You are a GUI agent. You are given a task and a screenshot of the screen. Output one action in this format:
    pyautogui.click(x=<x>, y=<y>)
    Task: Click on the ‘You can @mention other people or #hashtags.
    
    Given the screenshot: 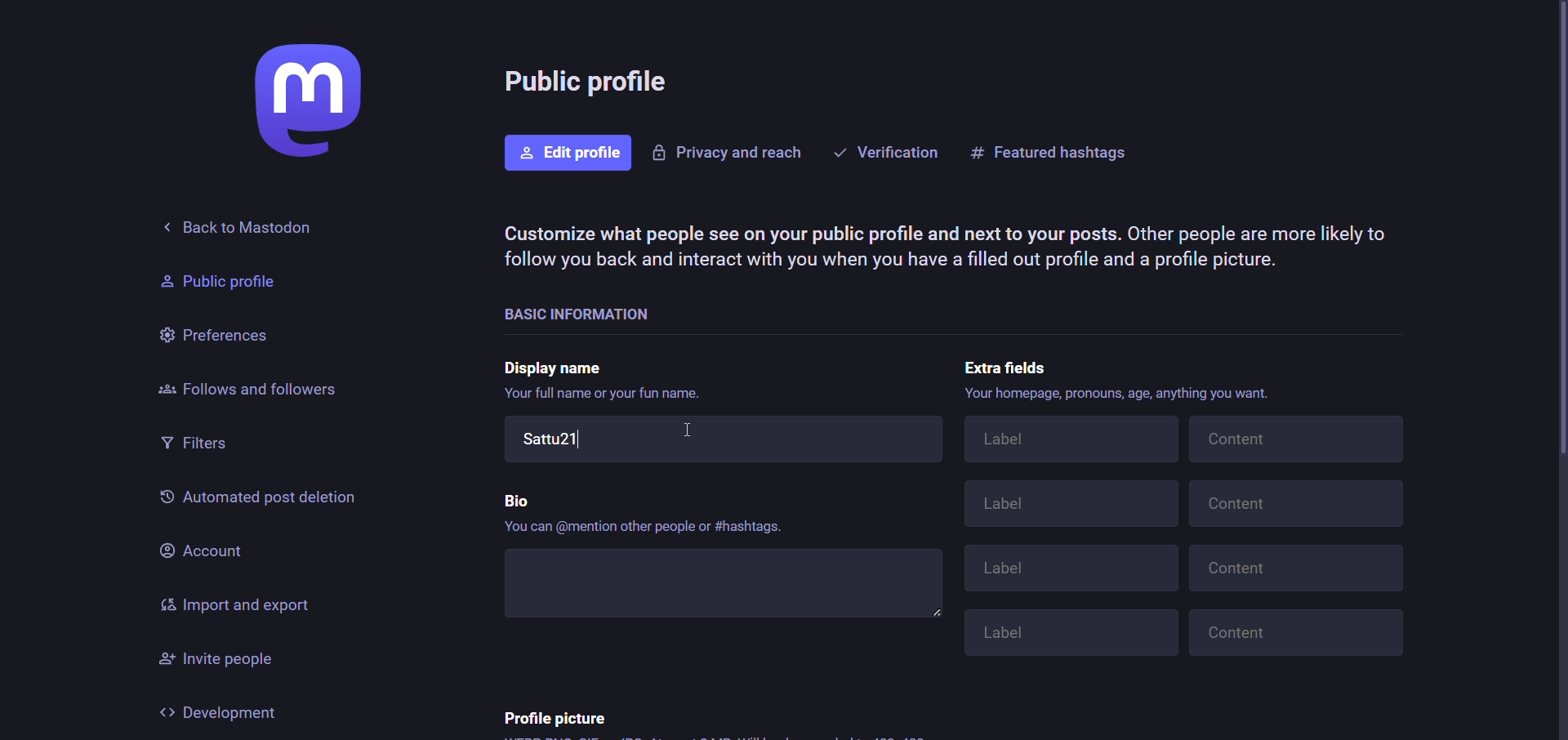 What is the action you would take?
    pyautogui.click(x=642, y=529)
    